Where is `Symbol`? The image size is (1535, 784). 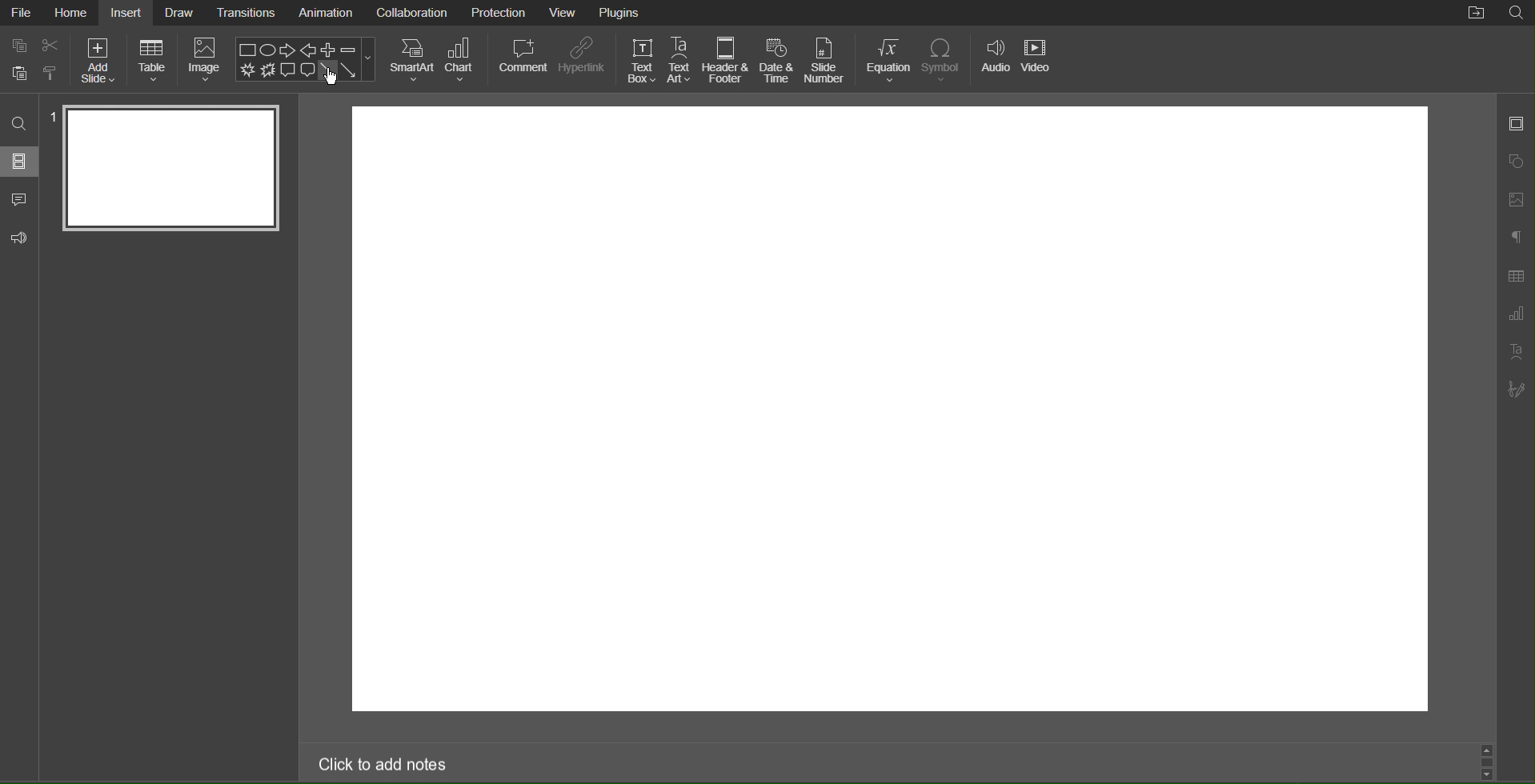
Symbol is located at coordinates (948, 59).